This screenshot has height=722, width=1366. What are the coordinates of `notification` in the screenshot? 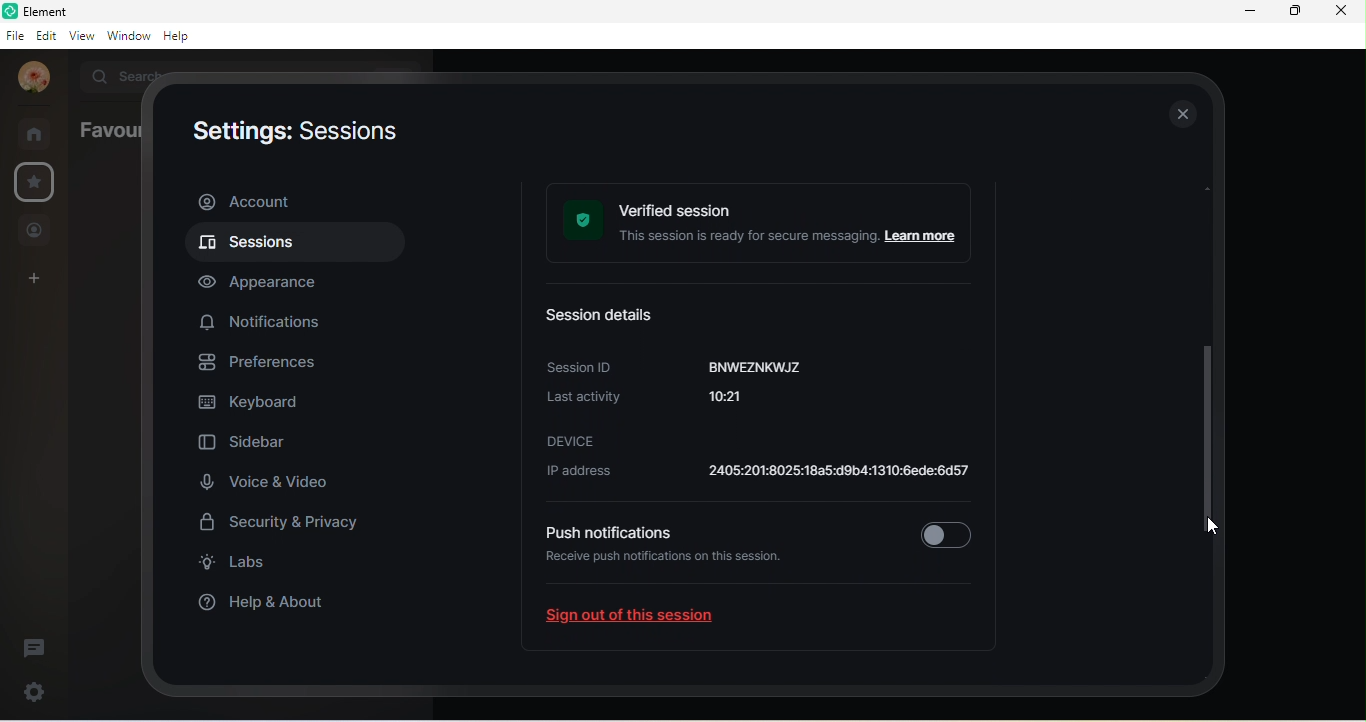 It's located at (265, 320).